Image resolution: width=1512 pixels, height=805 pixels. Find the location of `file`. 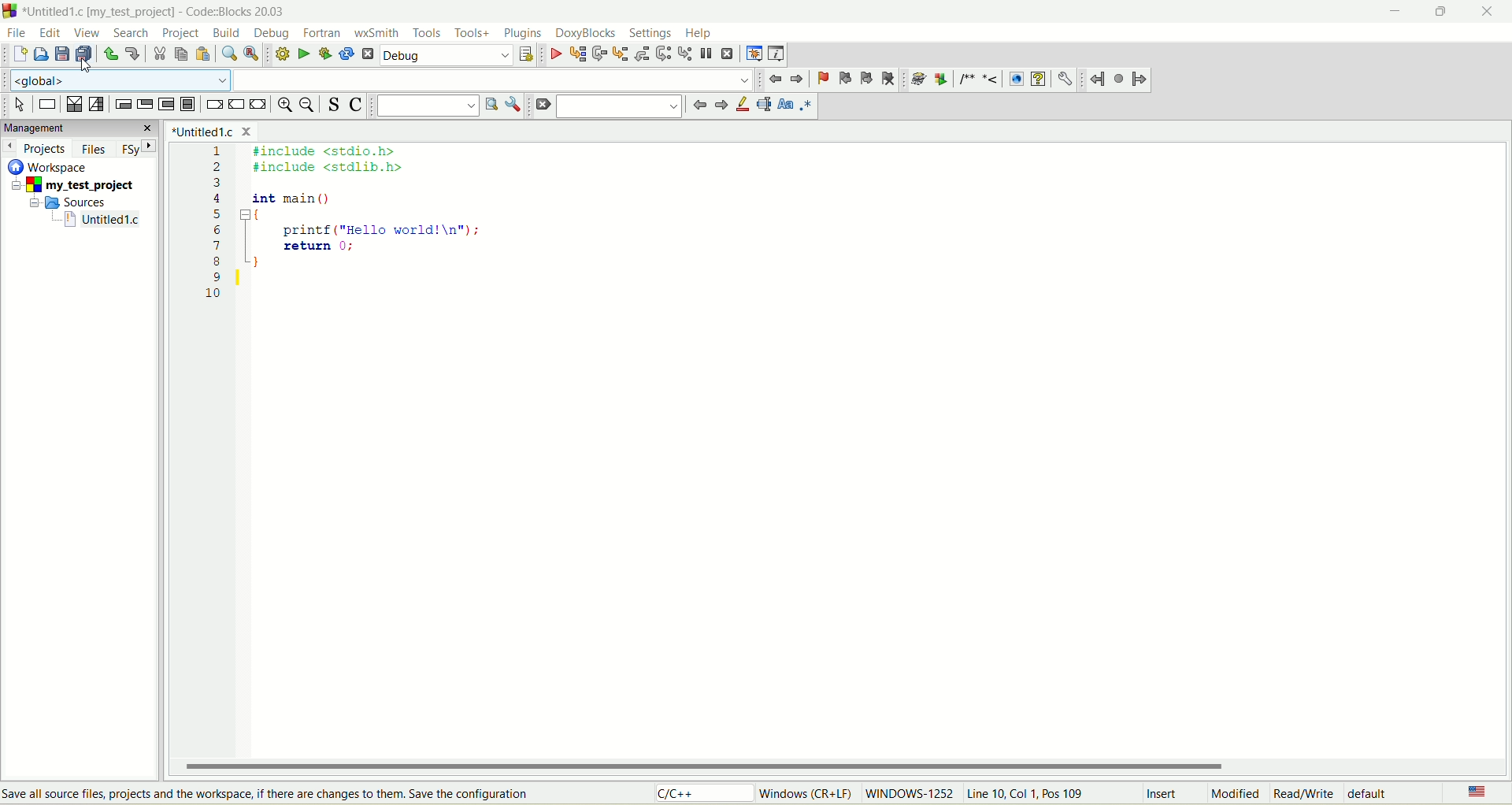

file is located at coordinates (17, 32).